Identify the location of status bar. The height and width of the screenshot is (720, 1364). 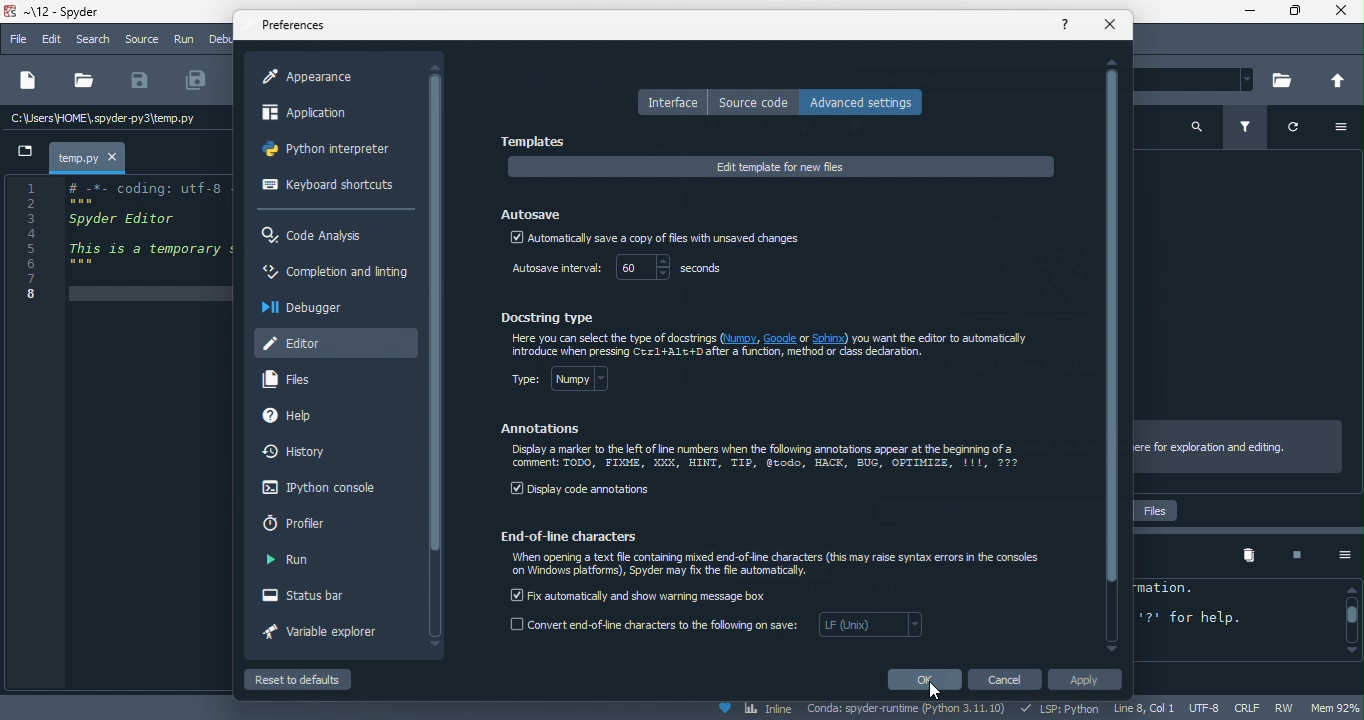
(316, 597).